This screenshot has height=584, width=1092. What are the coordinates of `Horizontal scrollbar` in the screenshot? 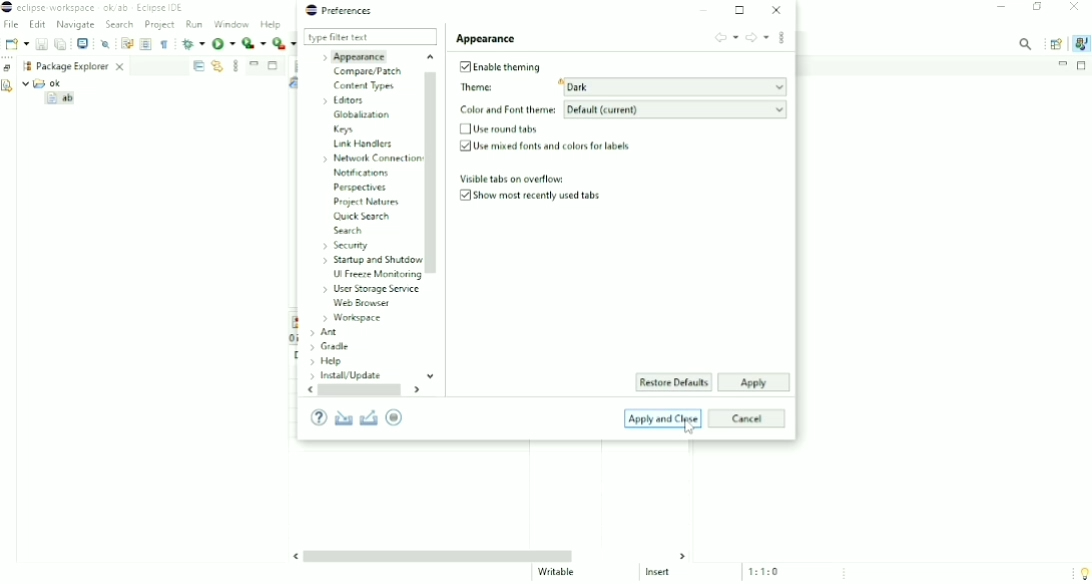 It's located at (363, 391).